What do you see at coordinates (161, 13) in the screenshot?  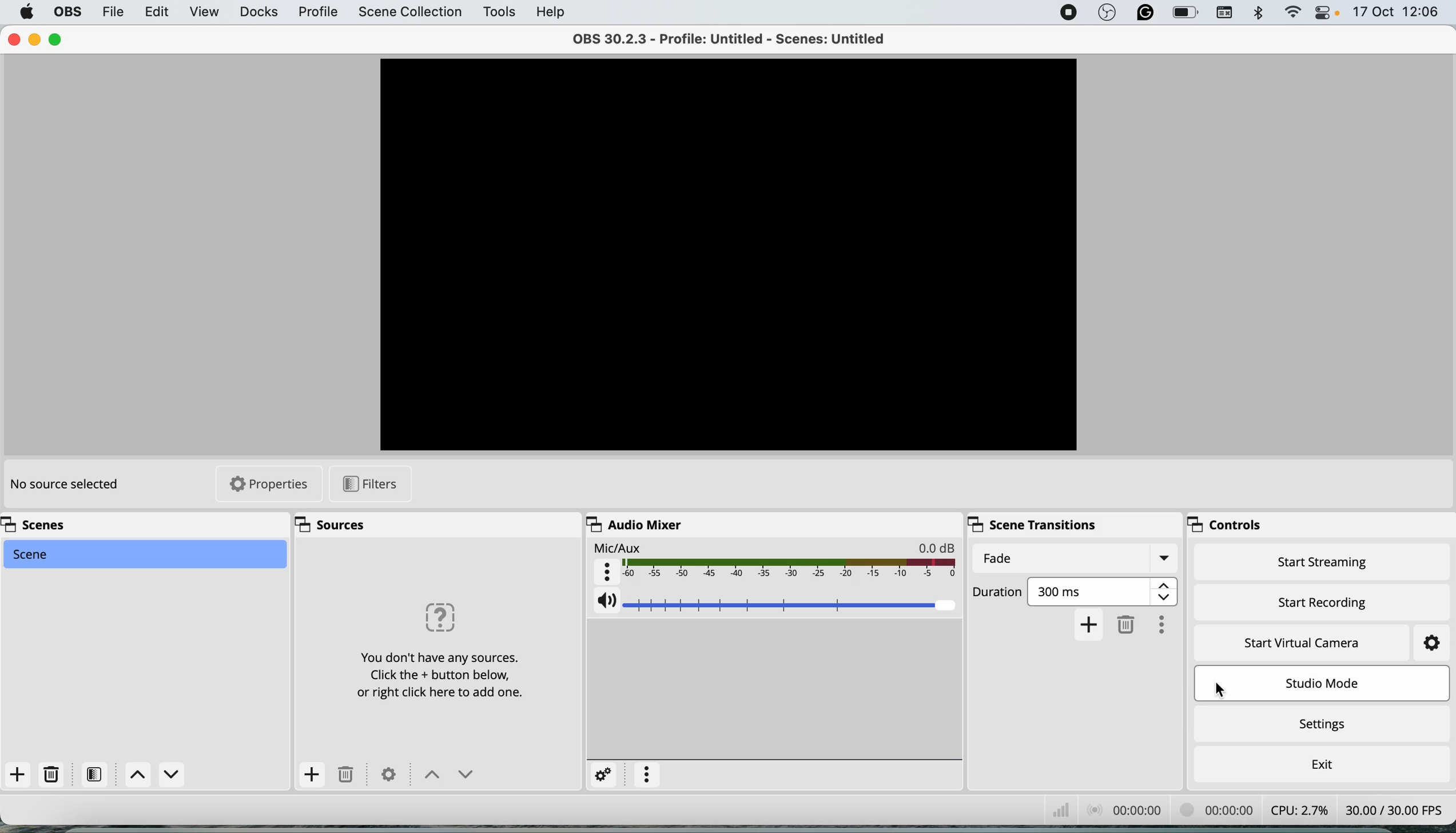 I see `edit` at bounding box center [161, 13].